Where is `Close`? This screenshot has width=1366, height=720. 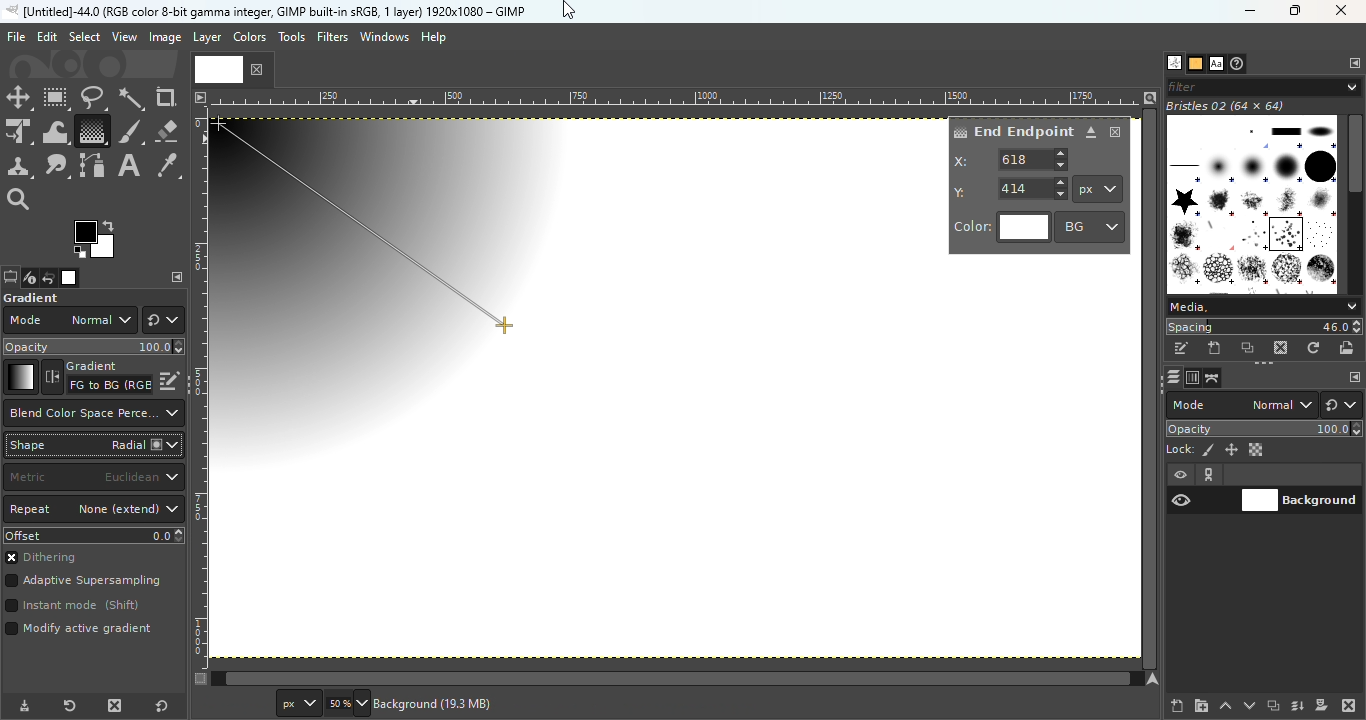
Close is located at coordinates (1116, 132).